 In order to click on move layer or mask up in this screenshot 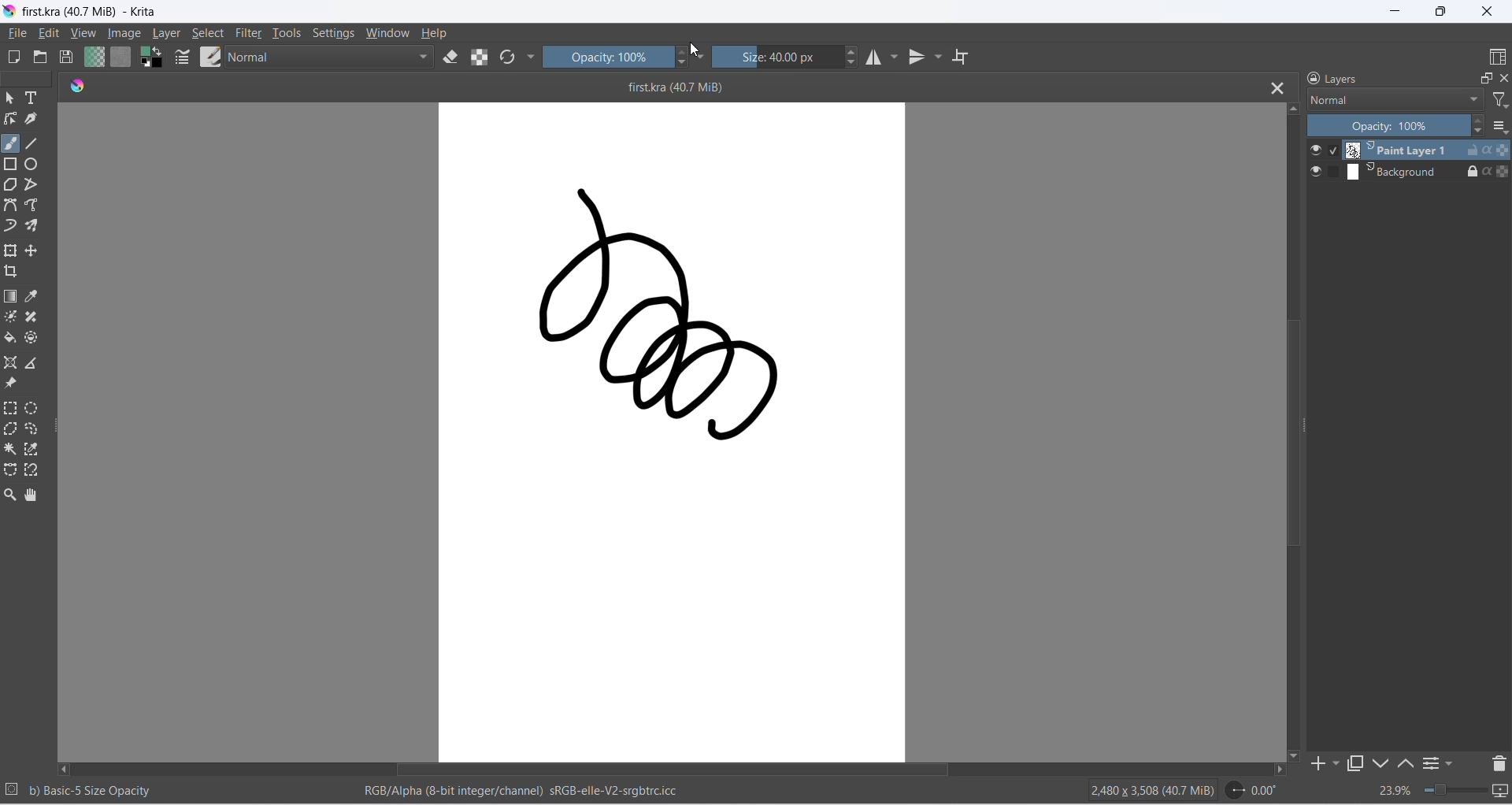, I will do `click(1406, 763)`.